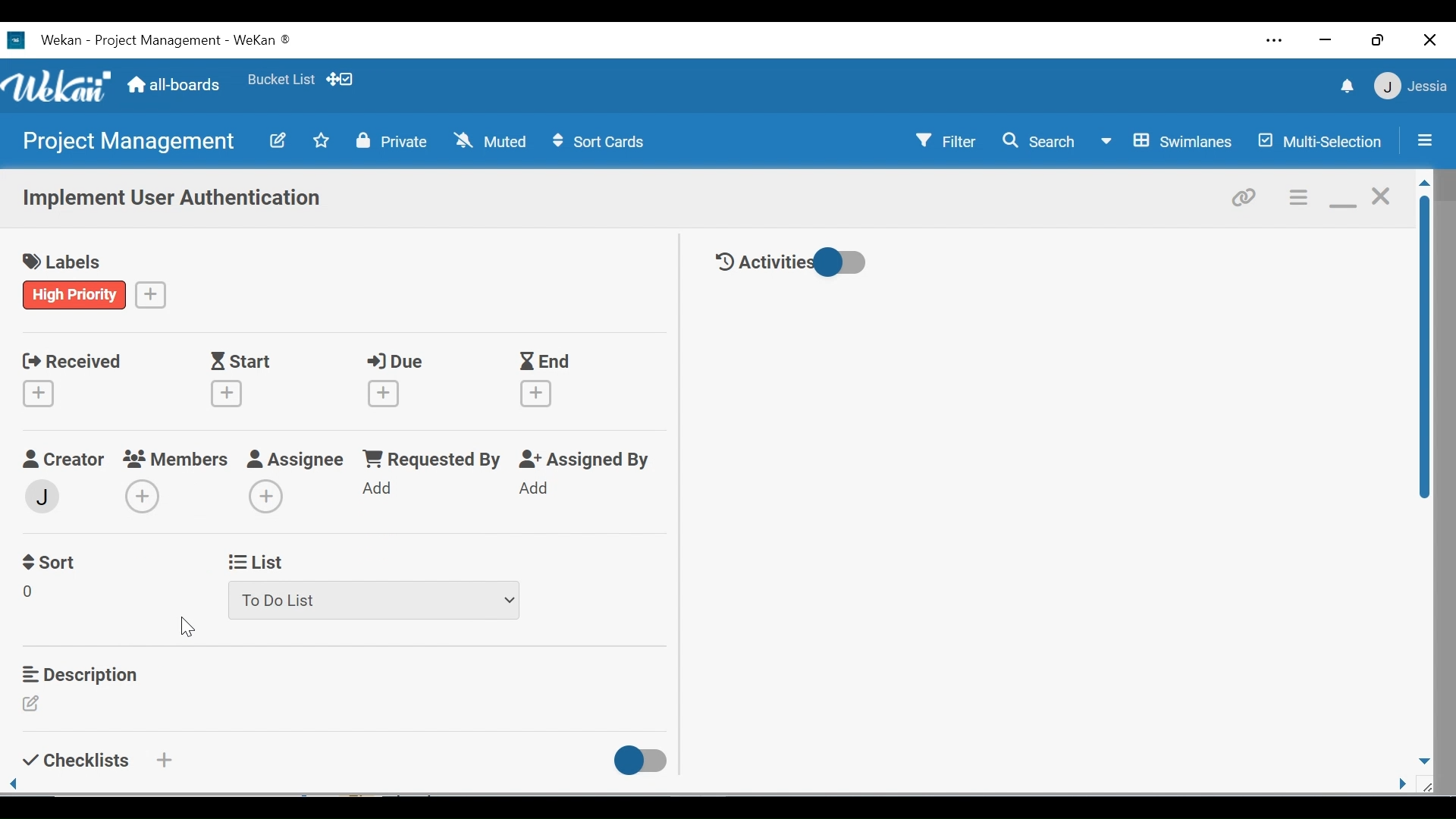 Image resolution: width=1456 pixels, height=819 pixels. Describe the element at coordinates (1423, 140) in the screenshot. I see `open/close side pane` at that location.